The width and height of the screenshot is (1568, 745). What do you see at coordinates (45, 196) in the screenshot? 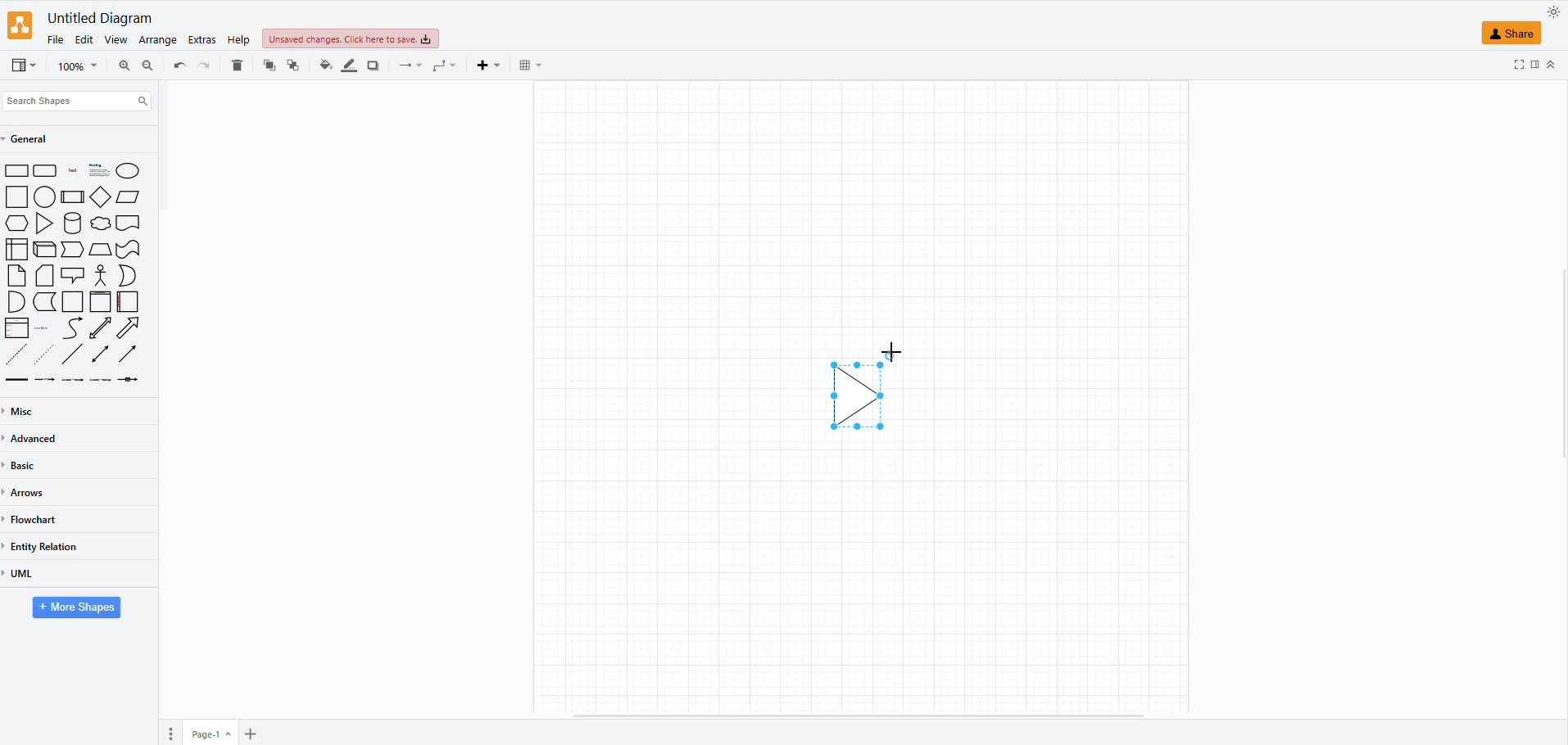
I see `Oval` at bounding box center [45, 196].